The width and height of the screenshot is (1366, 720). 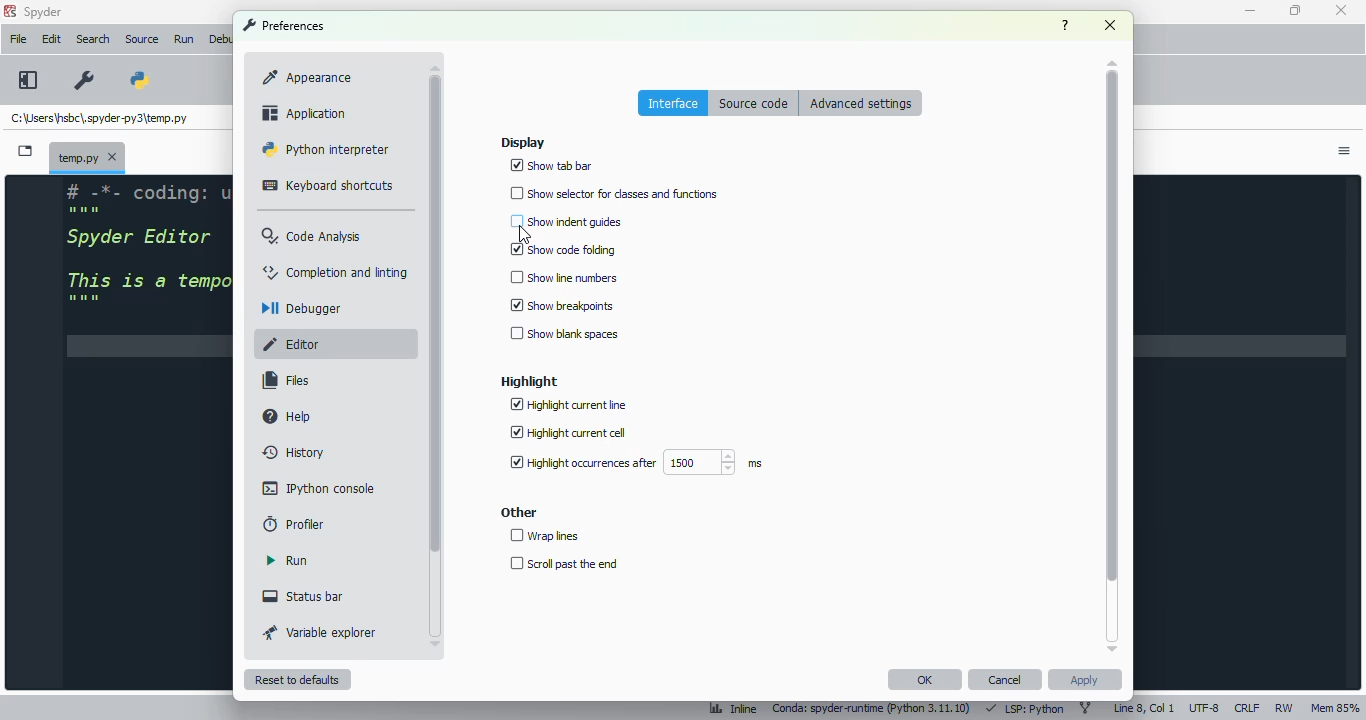 What do you see at coordinates (98, 120) in the screenshot?
I see `temporary file` at bounding box center [98, 120].